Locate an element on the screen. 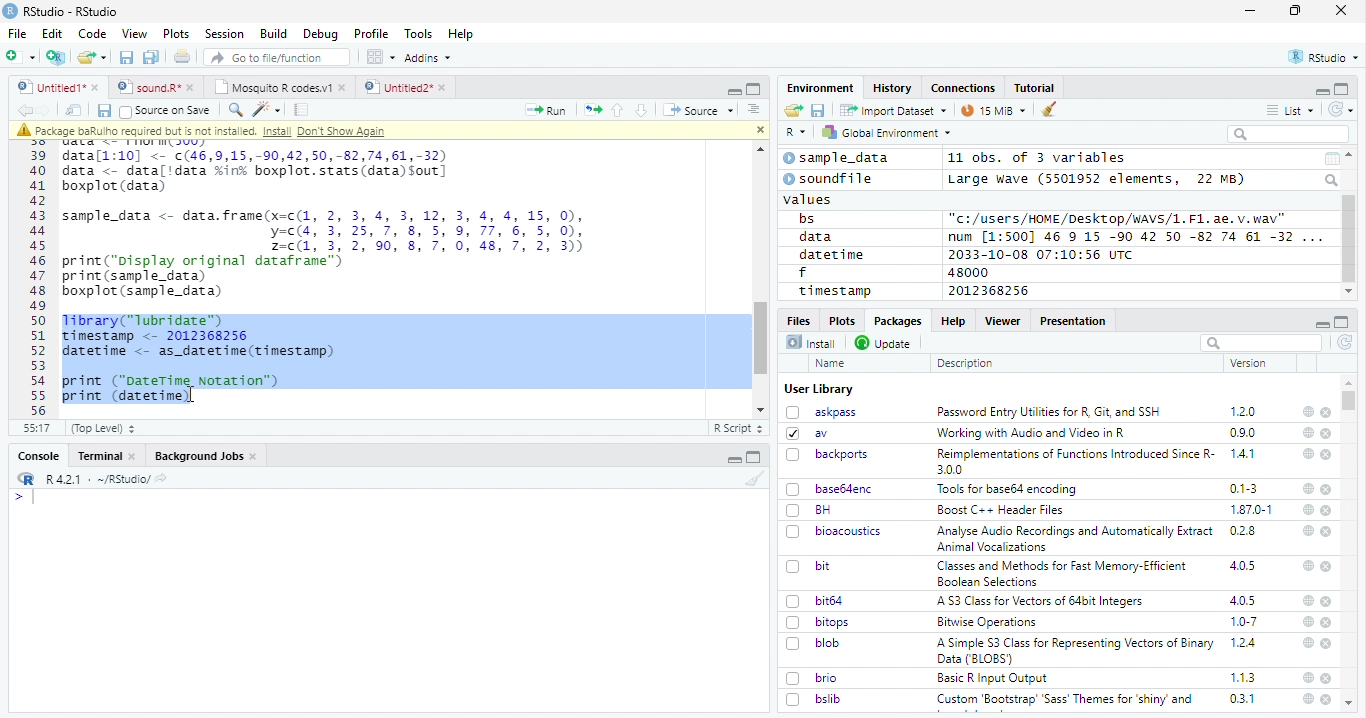 This screenshot has height=718, width=1366. help is located at coordinates (1306, 642).